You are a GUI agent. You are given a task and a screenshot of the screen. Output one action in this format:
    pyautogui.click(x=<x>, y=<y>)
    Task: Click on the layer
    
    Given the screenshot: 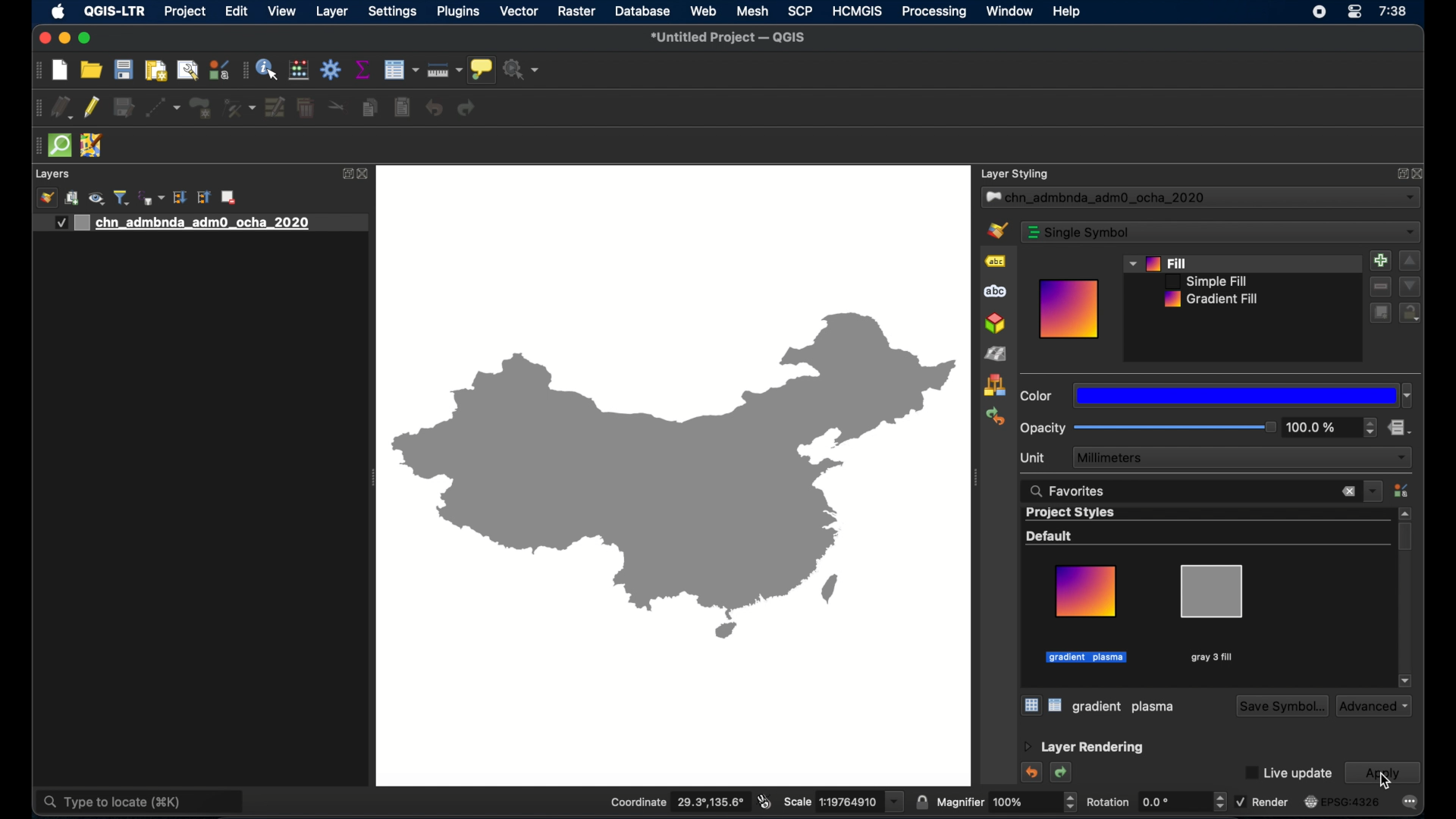 What is the action you would take?
    pyautogui.click(x=332, y=12)
    